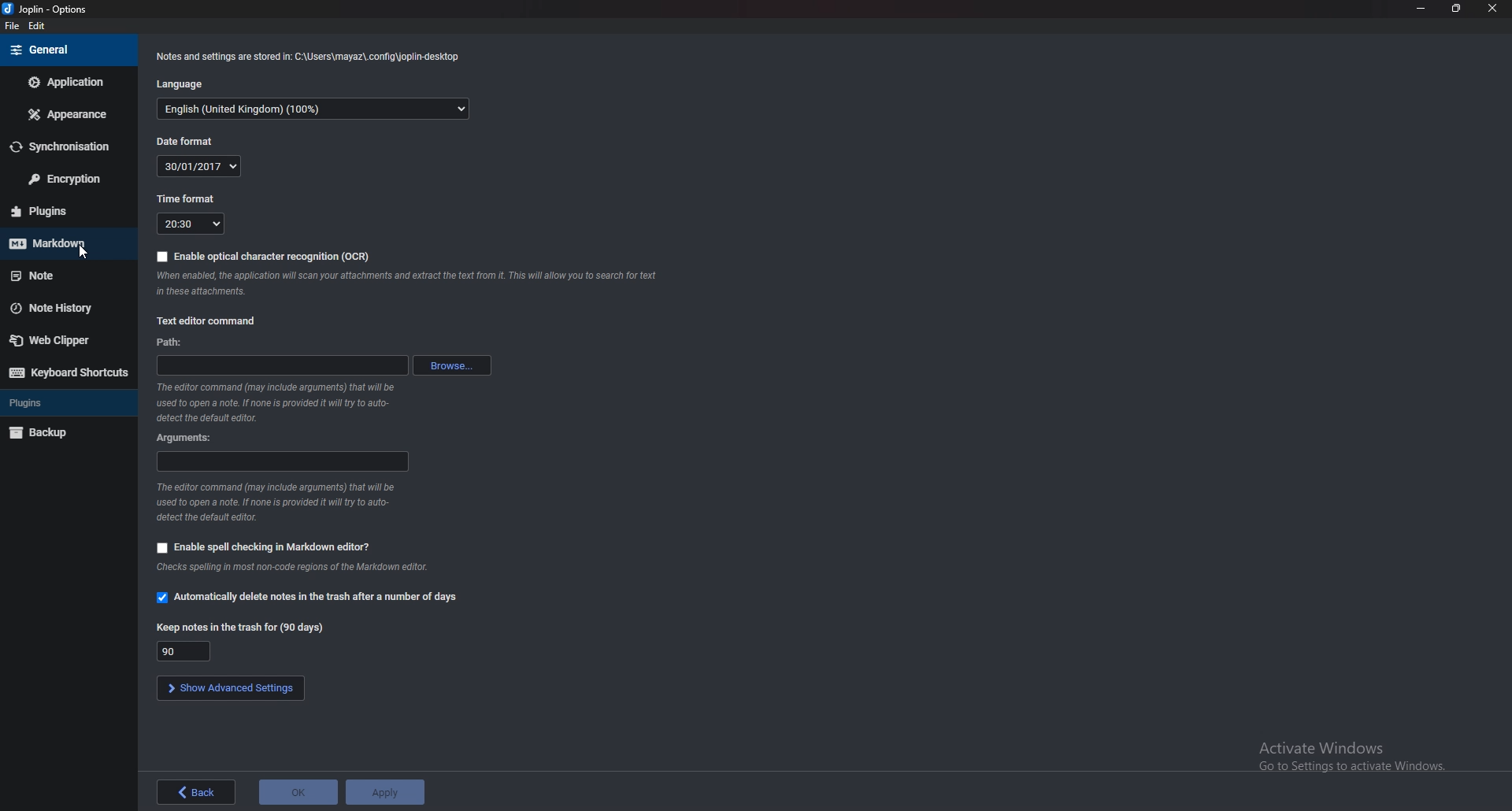 This screenshot has width=1512, height=811. Describe the element at coordinates (1455, 9) in the screenshot. I see `resize` at that location.